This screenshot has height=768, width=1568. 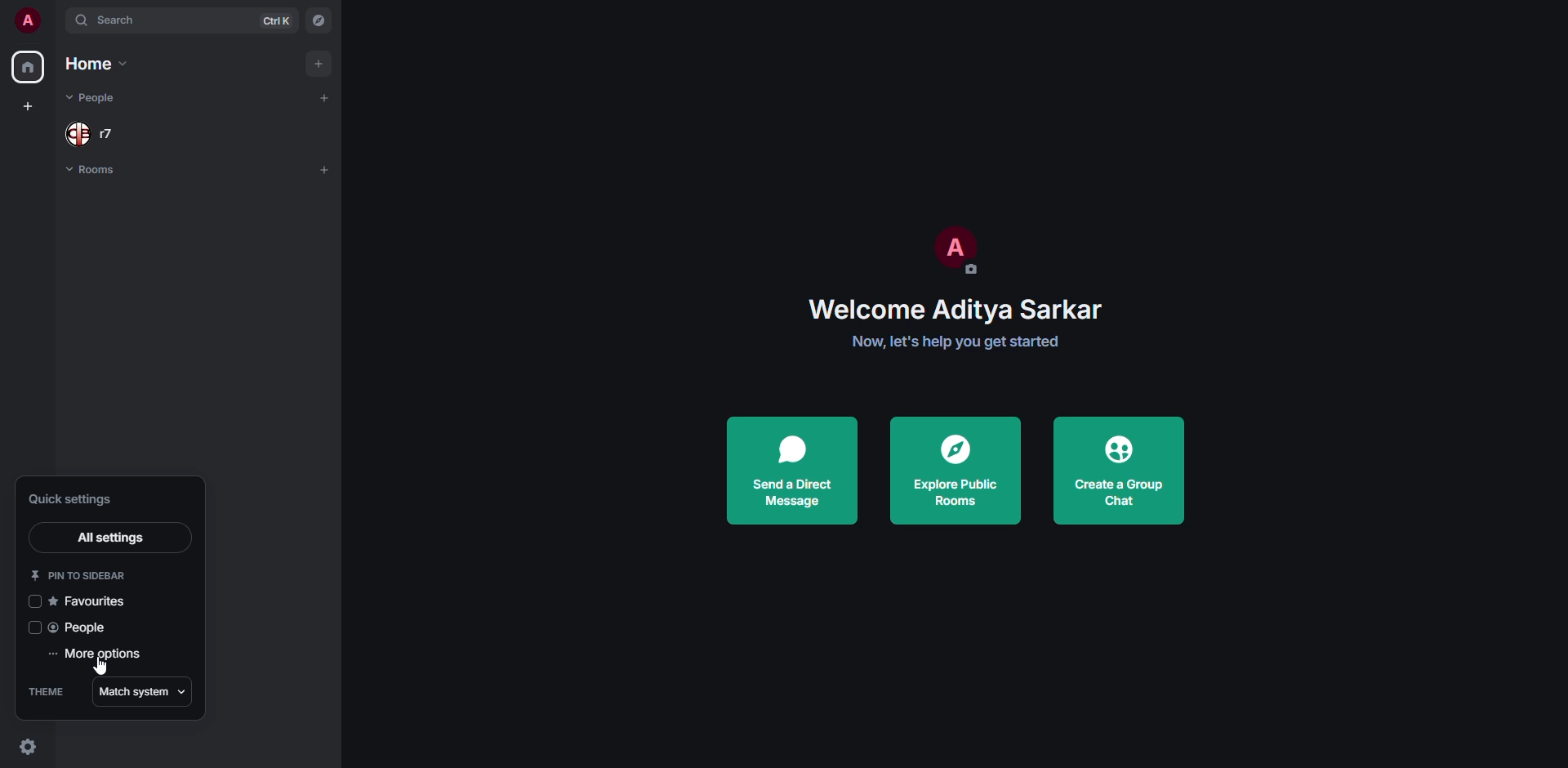 I want to click on cursor movement, so click(x=104, y=669).